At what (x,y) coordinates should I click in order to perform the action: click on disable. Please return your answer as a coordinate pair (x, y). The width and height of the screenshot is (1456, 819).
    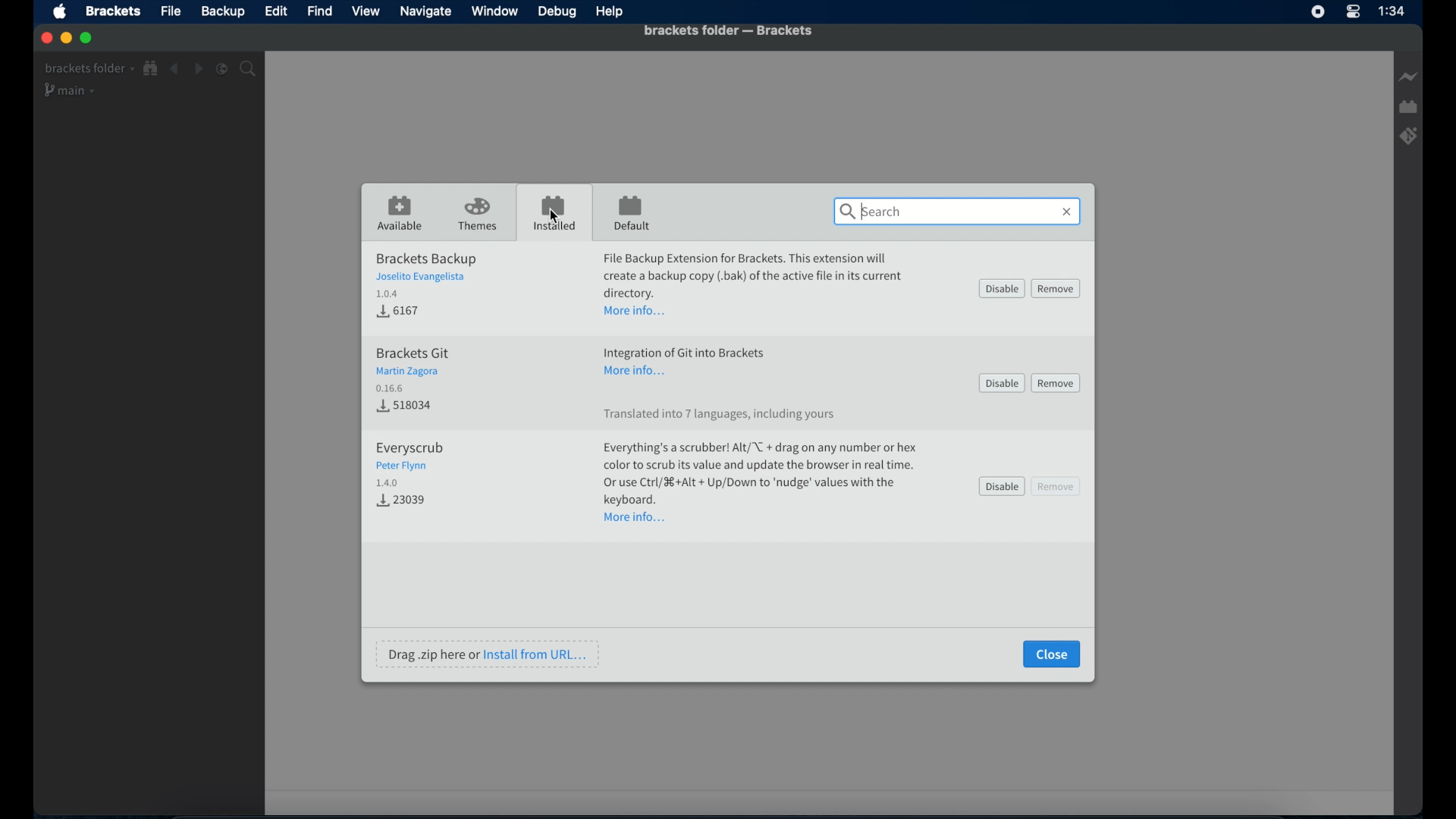
    Looking at the image, I should click on (1001, 383).